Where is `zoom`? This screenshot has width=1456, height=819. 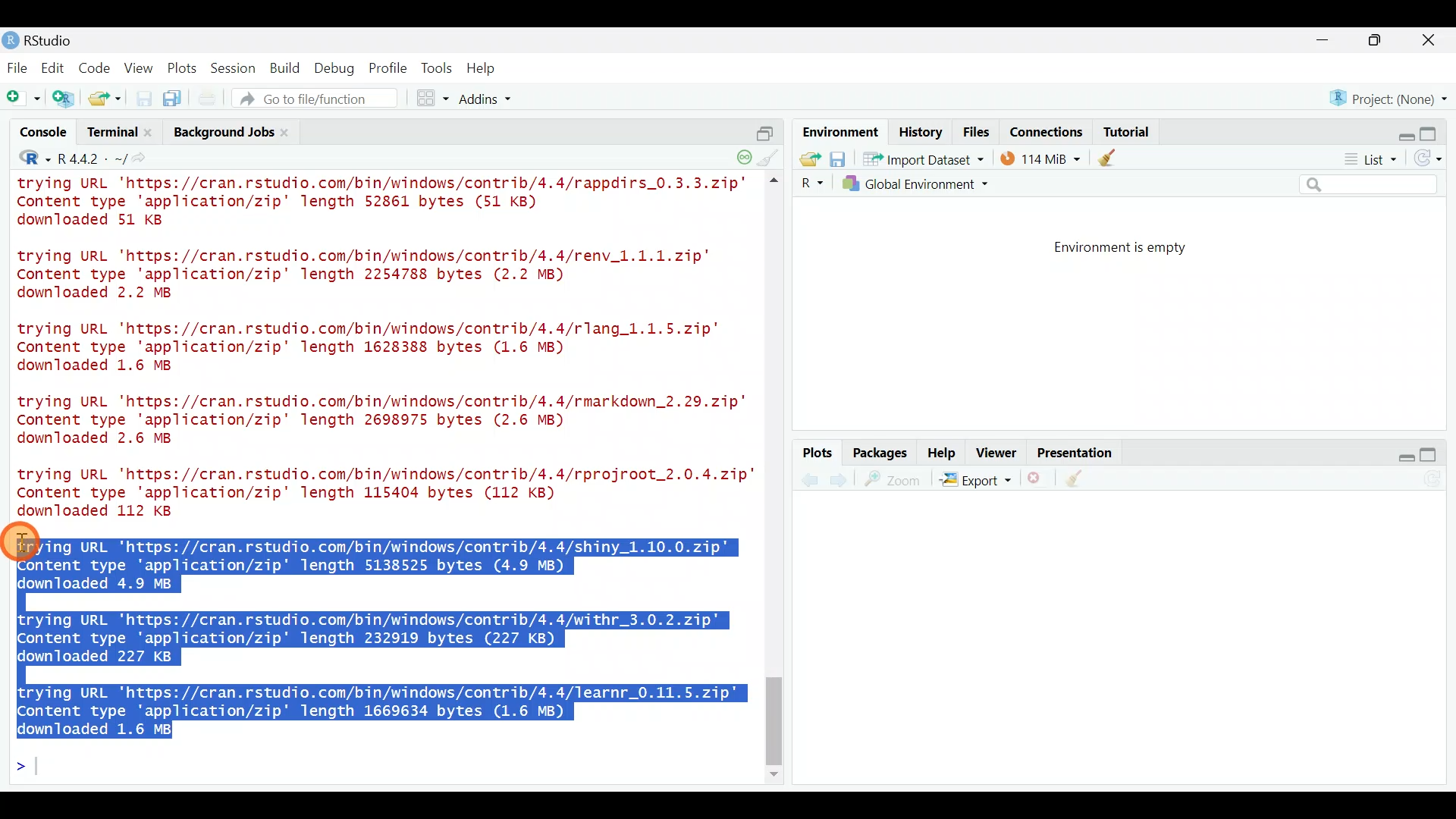
zoom is located at coordinates (896, 480).